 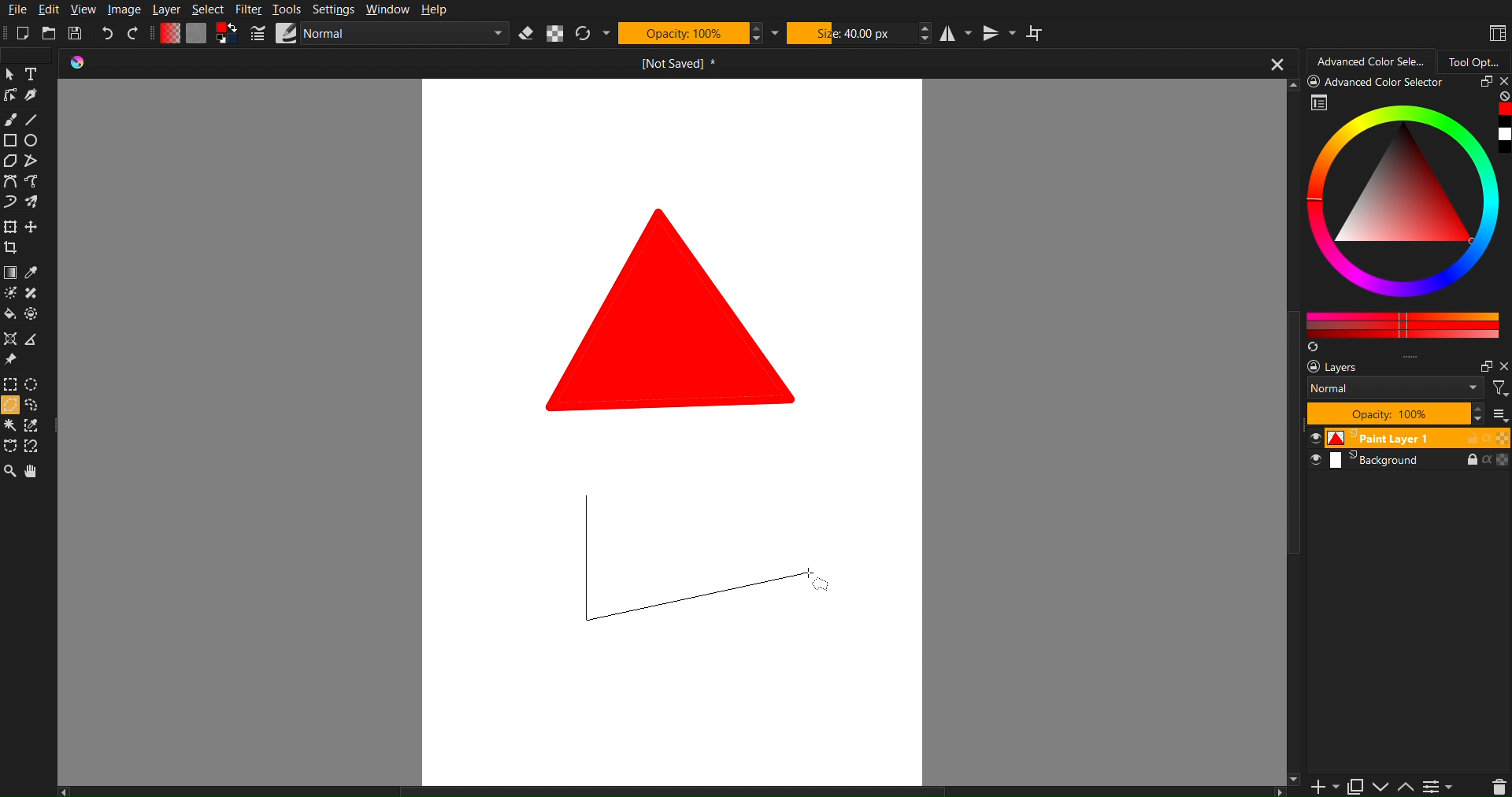 What do you see at coordinates (9, 95) in the screenshot?
I see `Lineart Tools` at bounding box center [9, 95].